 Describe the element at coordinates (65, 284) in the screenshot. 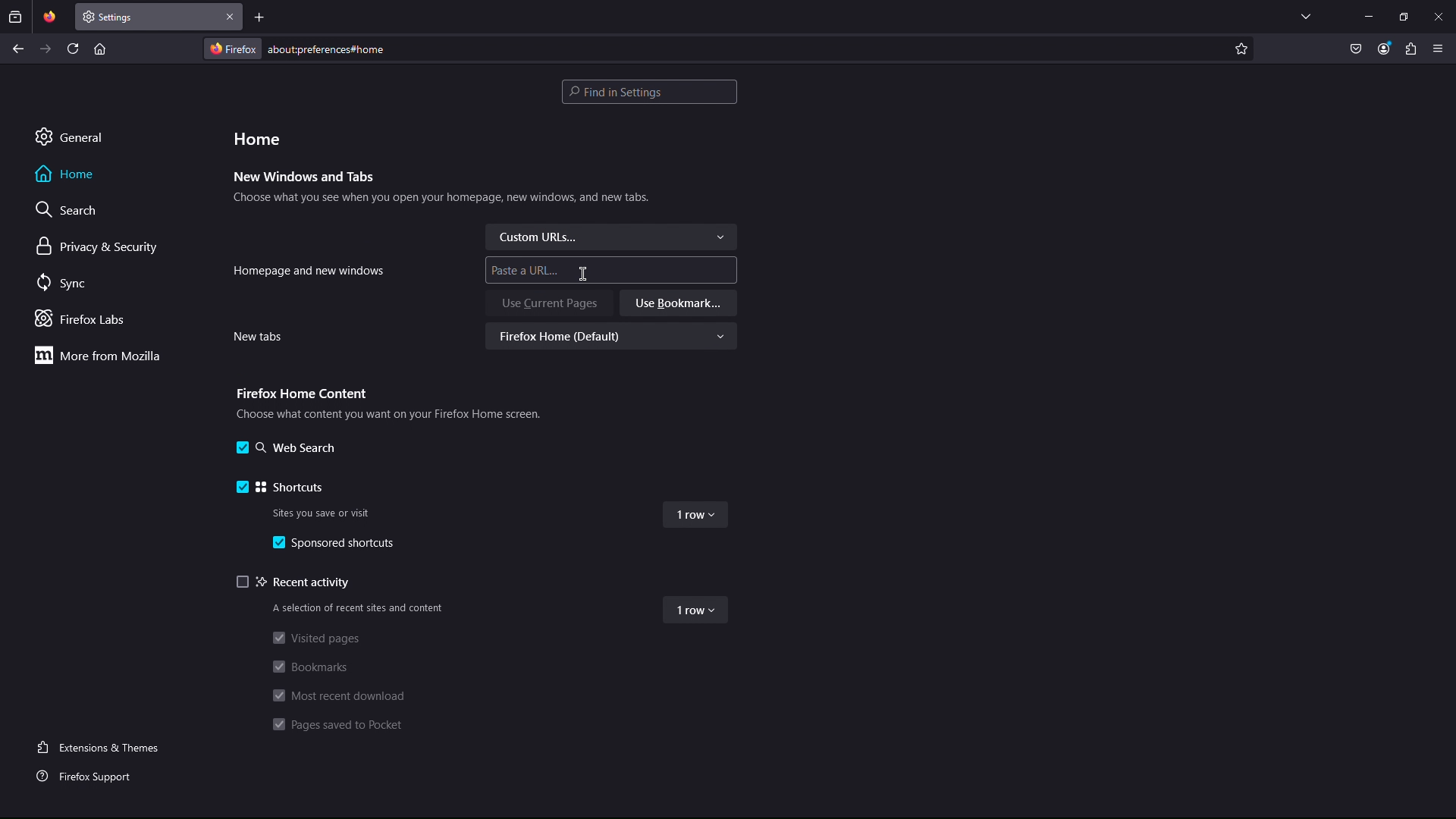

I see `Sync` at that location.